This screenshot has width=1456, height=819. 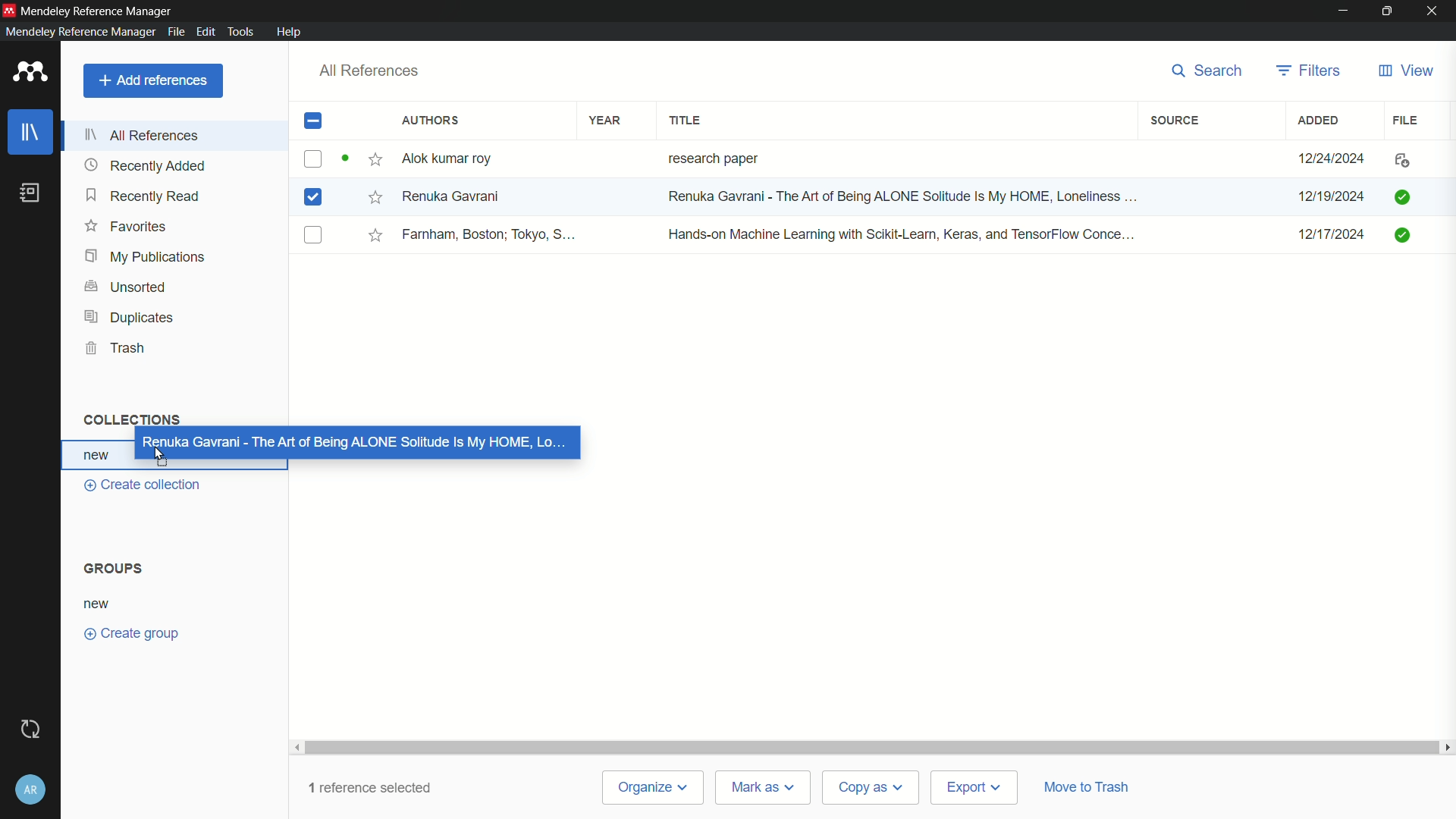 What do you see at coordinates (128, 287) in the screenshot?
I see `unsorted` at bounding box center [128, 287].